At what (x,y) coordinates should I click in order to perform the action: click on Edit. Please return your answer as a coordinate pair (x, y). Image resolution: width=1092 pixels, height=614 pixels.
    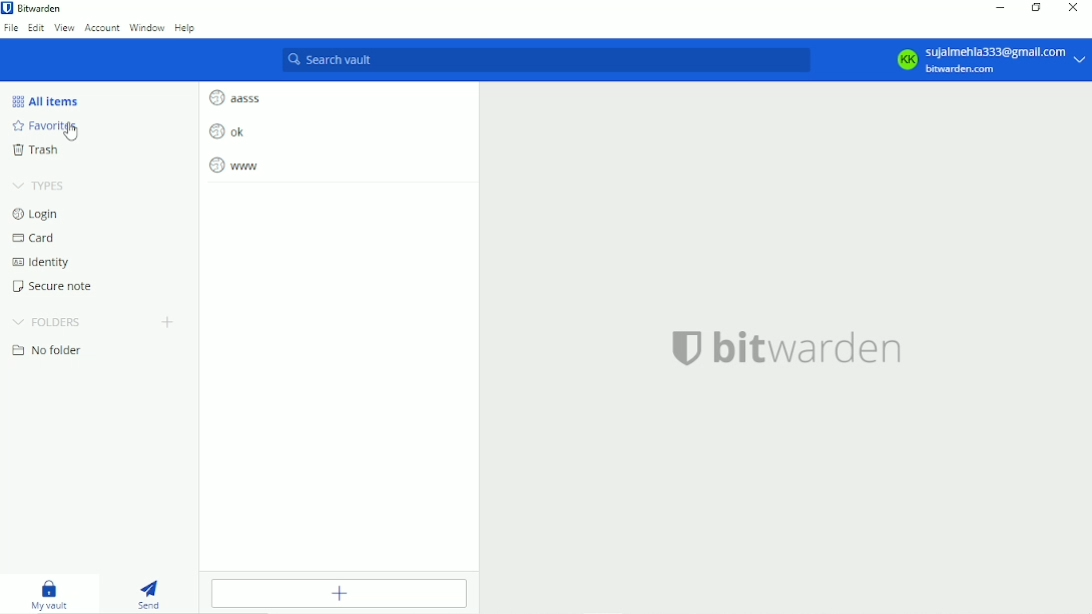
    Looking at the image, I should click on (35, 28).